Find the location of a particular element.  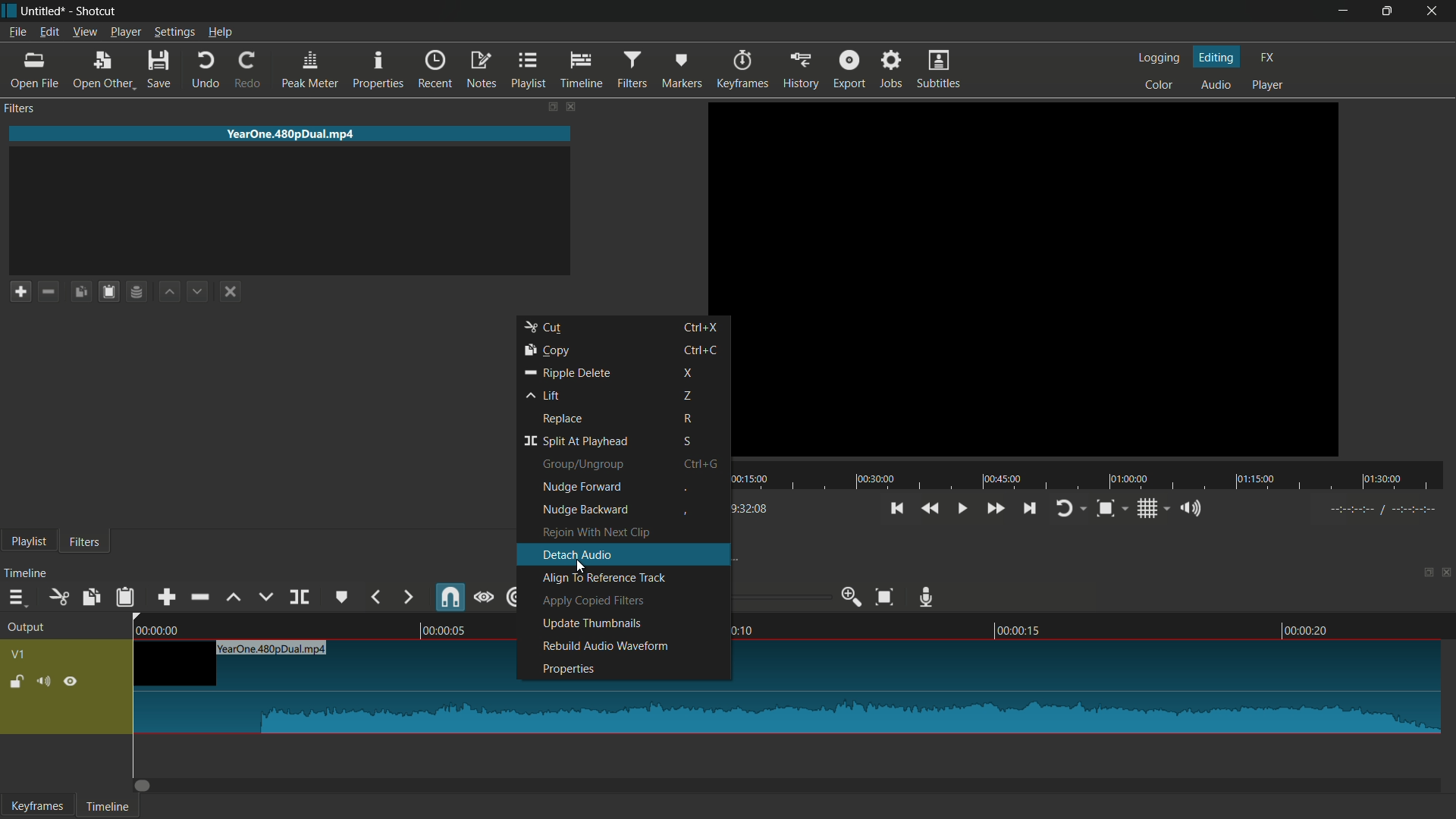

detach audio is located at coordinates (579, 554).